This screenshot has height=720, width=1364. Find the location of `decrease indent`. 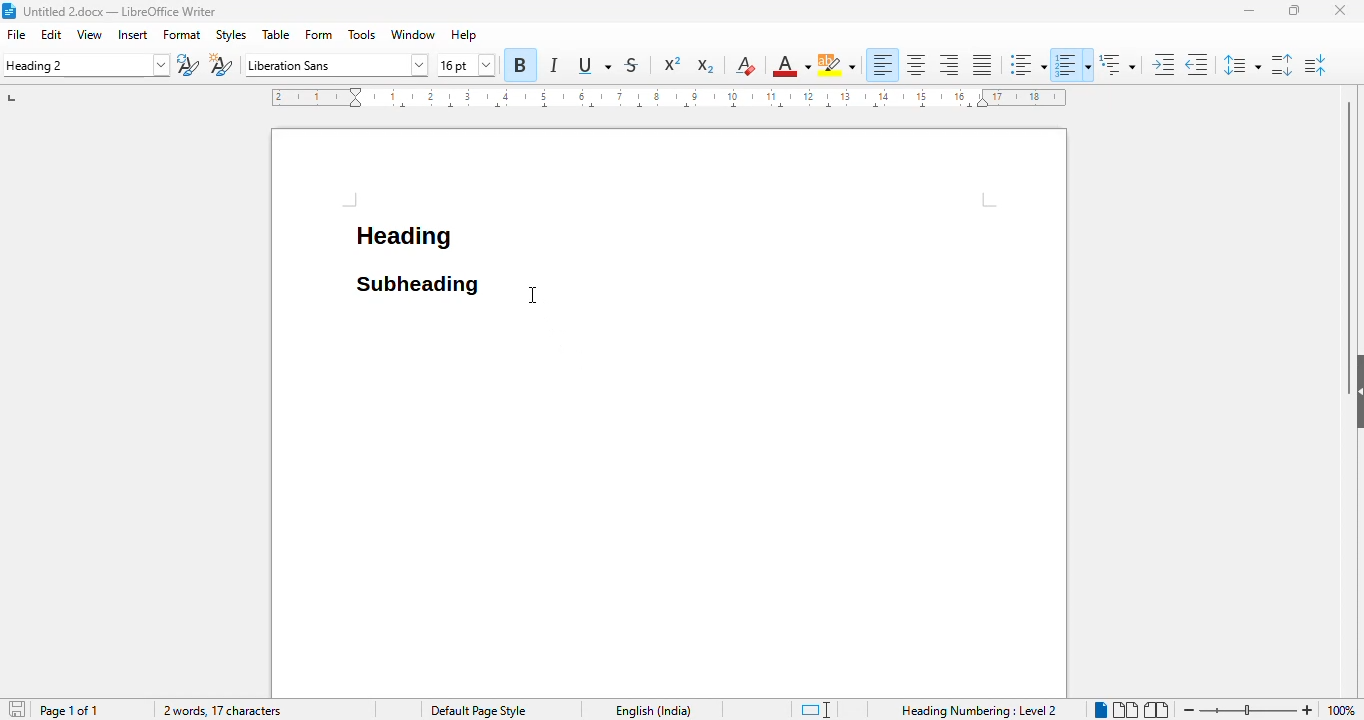

decrease indent is located at coordinates (1197, 64).